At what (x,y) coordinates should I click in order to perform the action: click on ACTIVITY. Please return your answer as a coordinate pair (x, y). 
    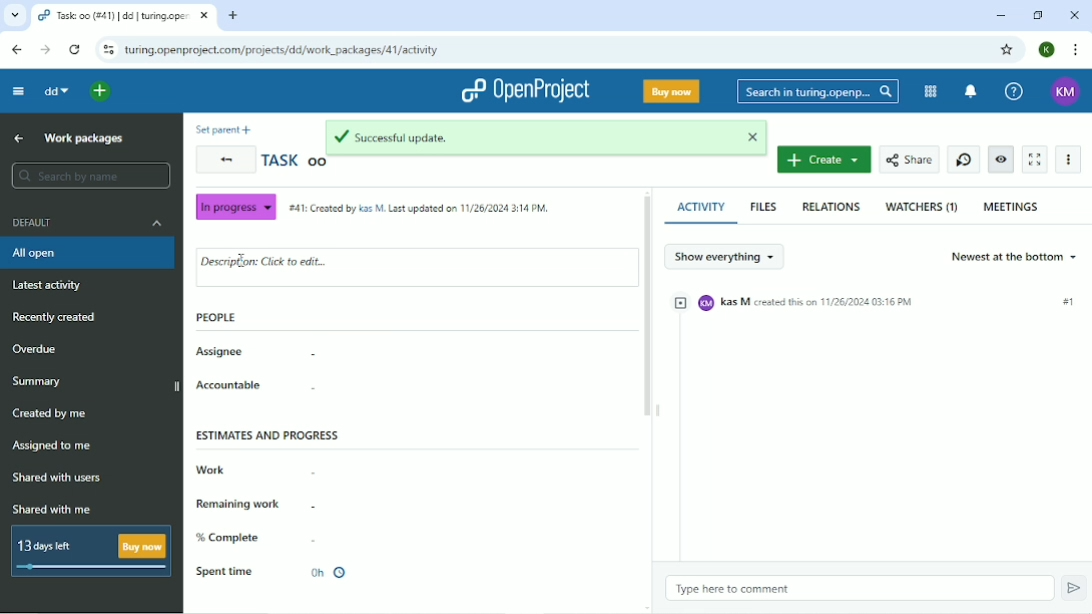
    Looking at the image, I should click on (702, 208).